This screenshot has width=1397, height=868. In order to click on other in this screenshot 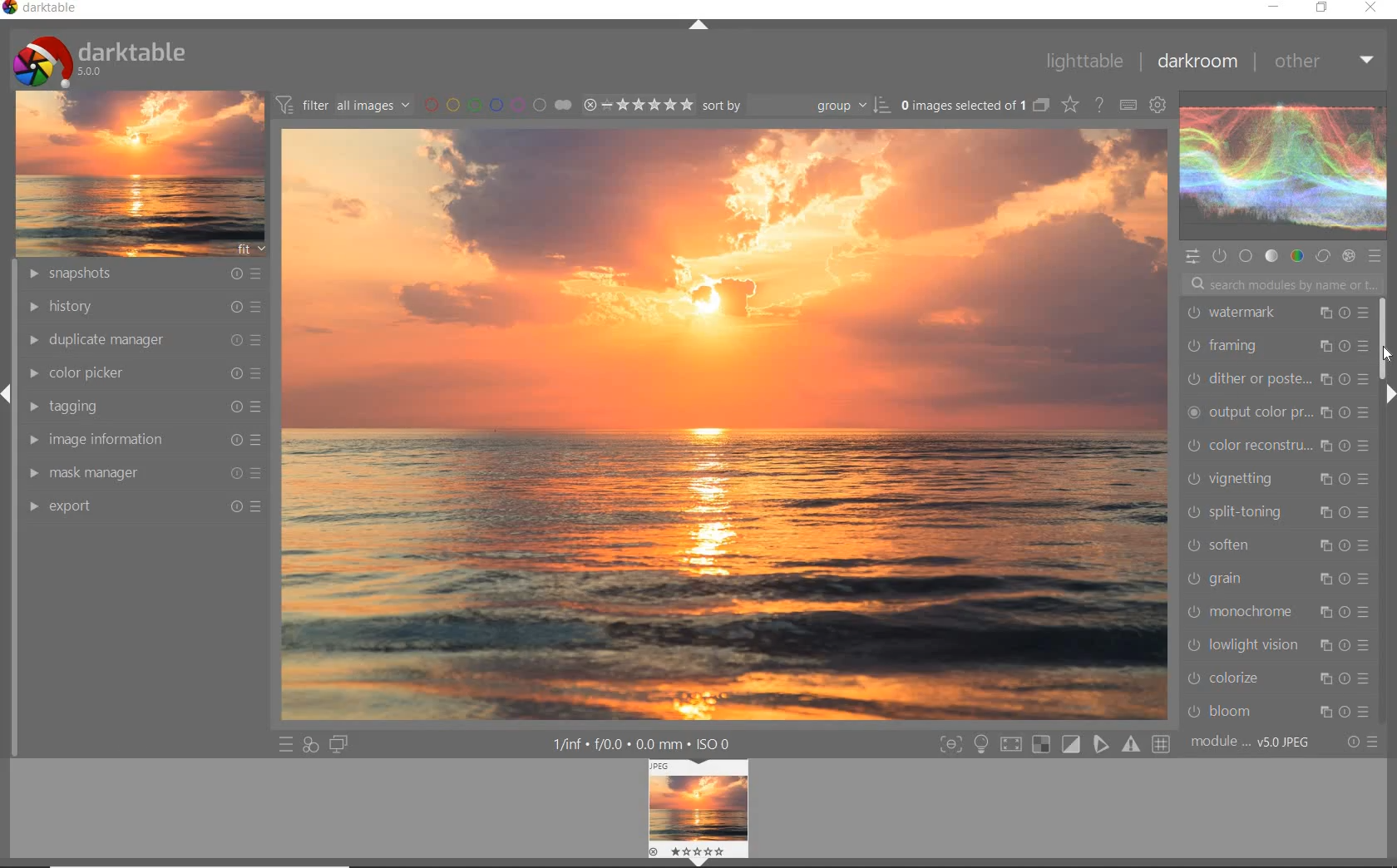, I will do `click(1326, 65)`.